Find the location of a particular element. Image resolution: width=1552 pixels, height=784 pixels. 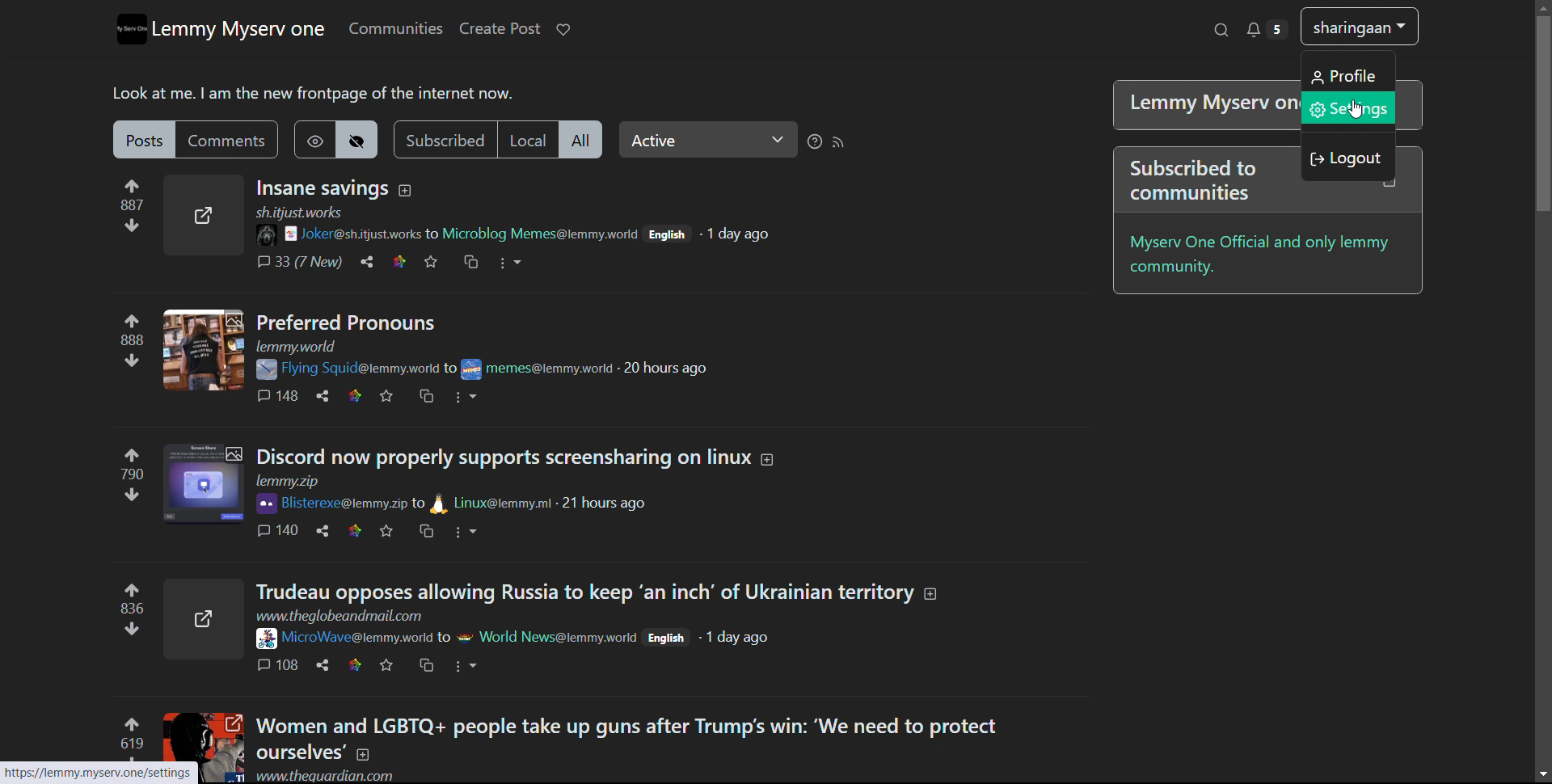

upvote and downvotes is located at coordinates (133, 208).